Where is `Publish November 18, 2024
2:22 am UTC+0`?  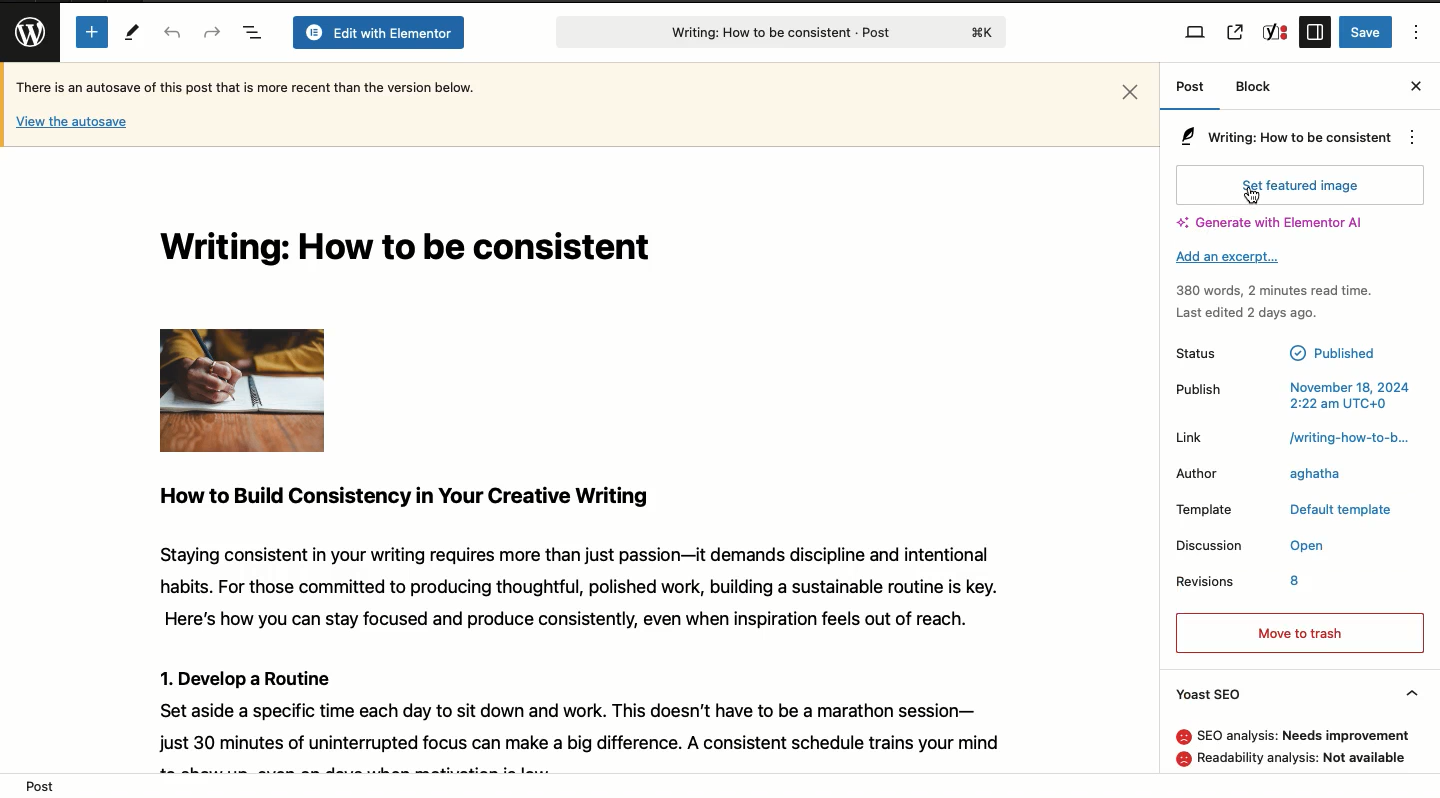
Publish November 18, 2024
2:22 am UTC+0 is located at coordinates (1291, 391).